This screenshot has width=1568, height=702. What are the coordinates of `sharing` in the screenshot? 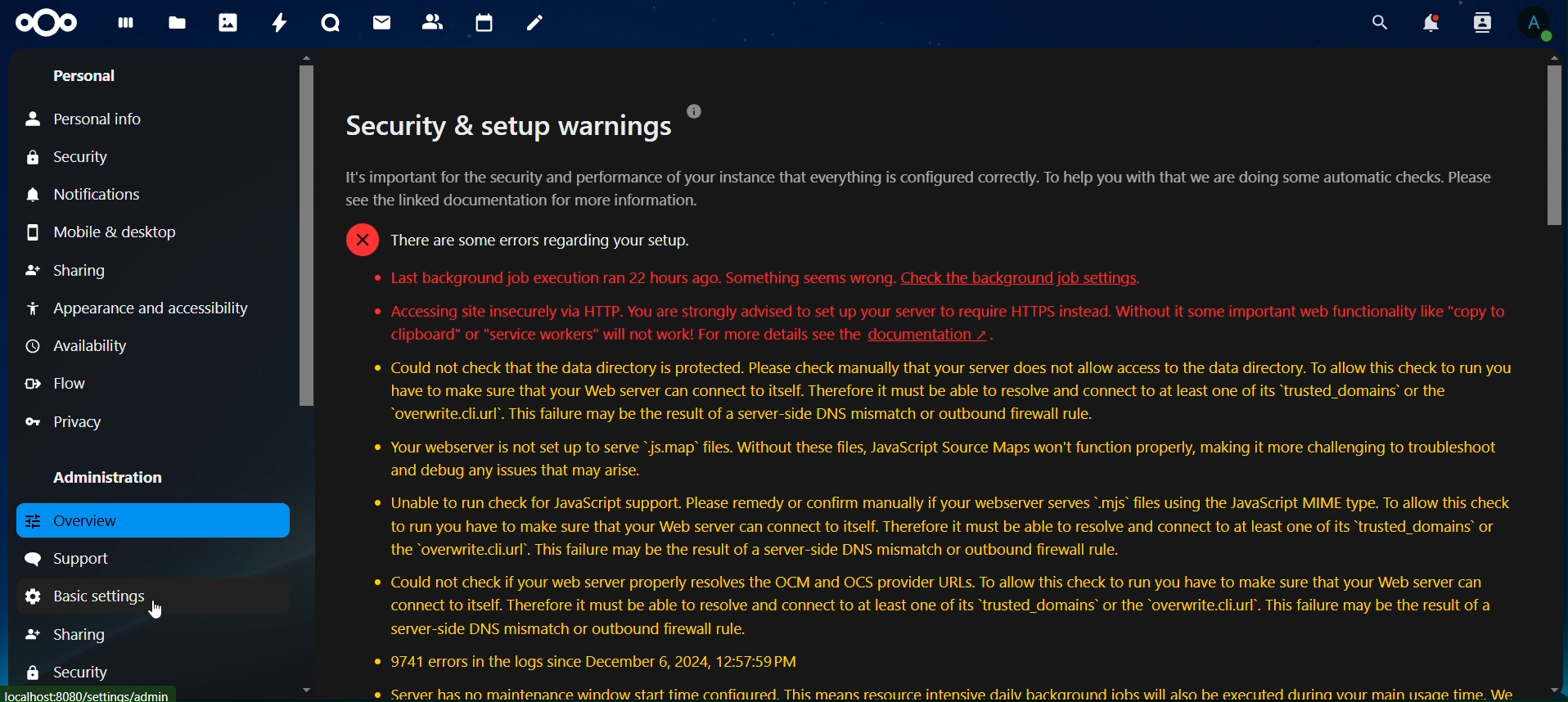 It's located at (70, 269).